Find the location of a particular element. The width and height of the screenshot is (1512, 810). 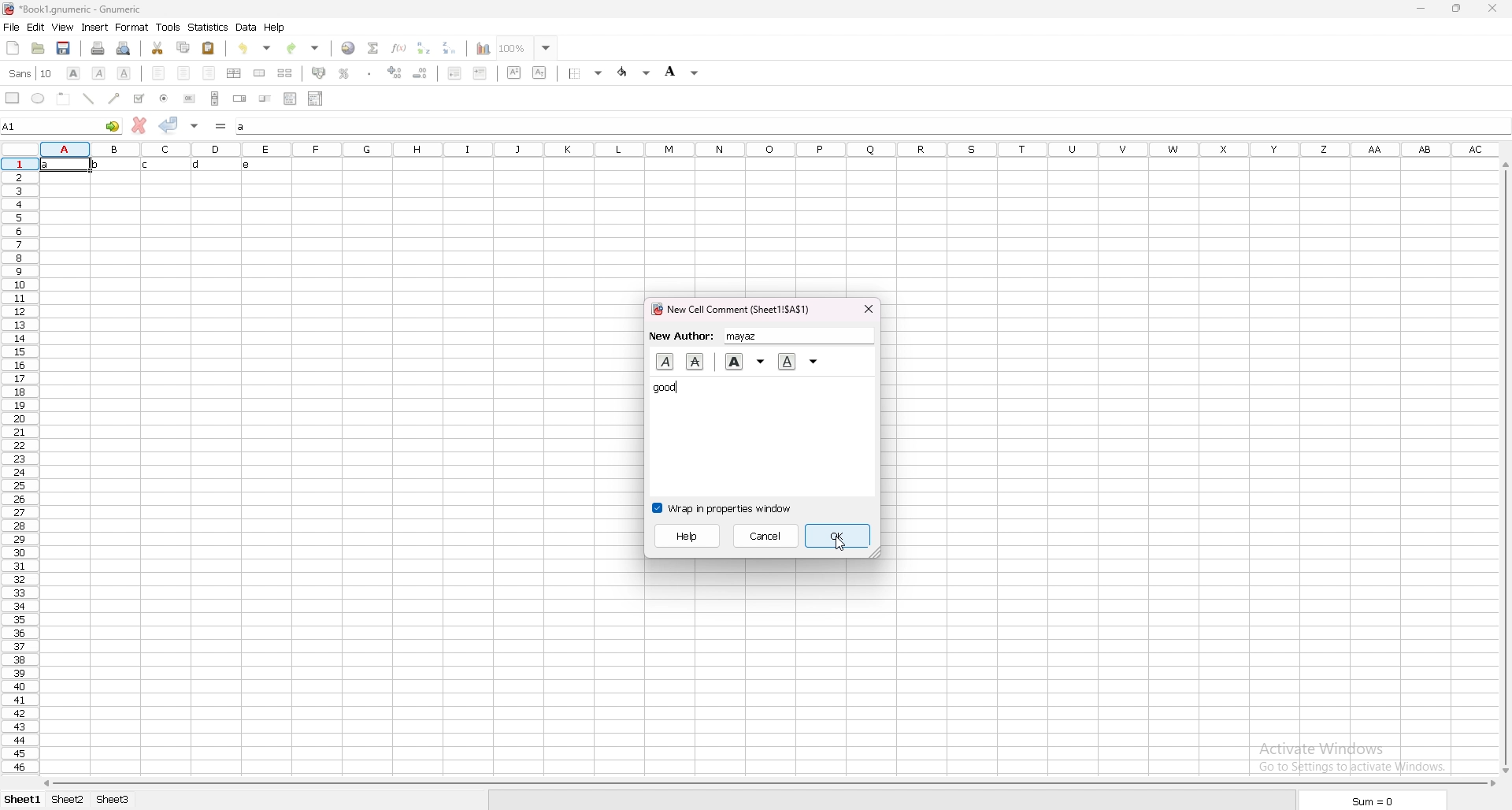

bold is located at coordinates (75, 73).